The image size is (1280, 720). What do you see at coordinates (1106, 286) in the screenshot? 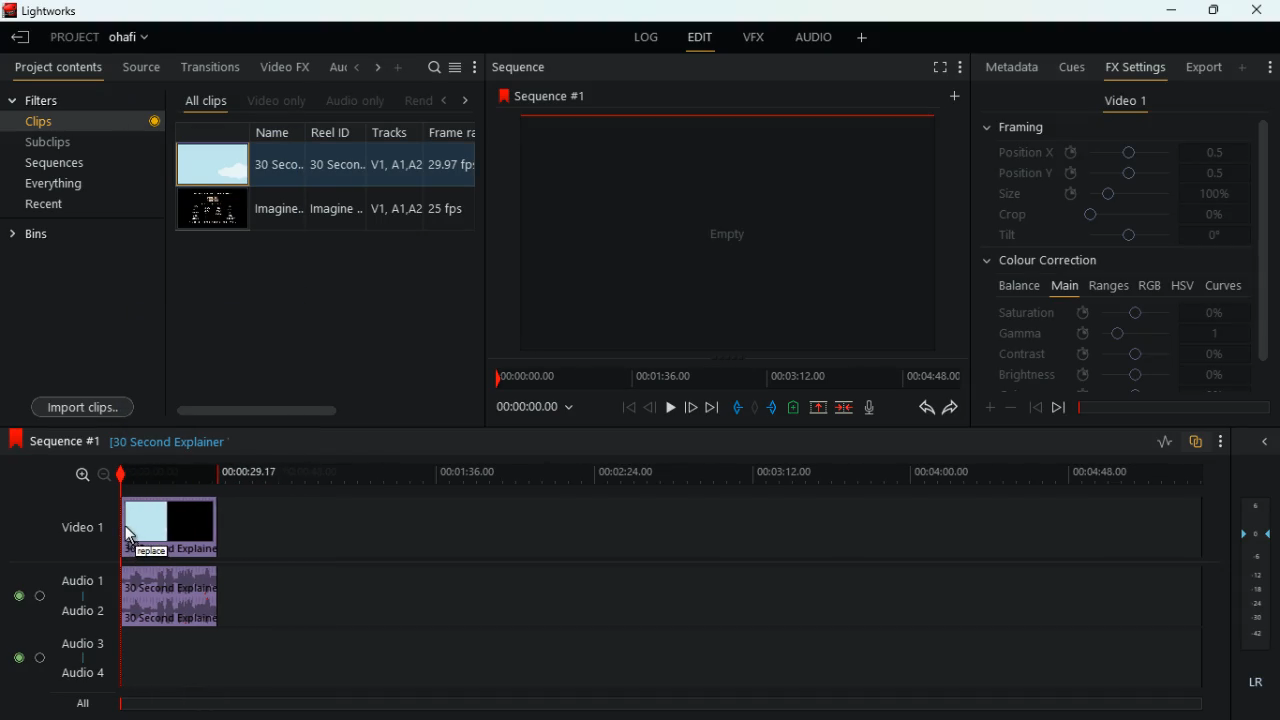
I see `ranges` at bounding box center [1106, 286].